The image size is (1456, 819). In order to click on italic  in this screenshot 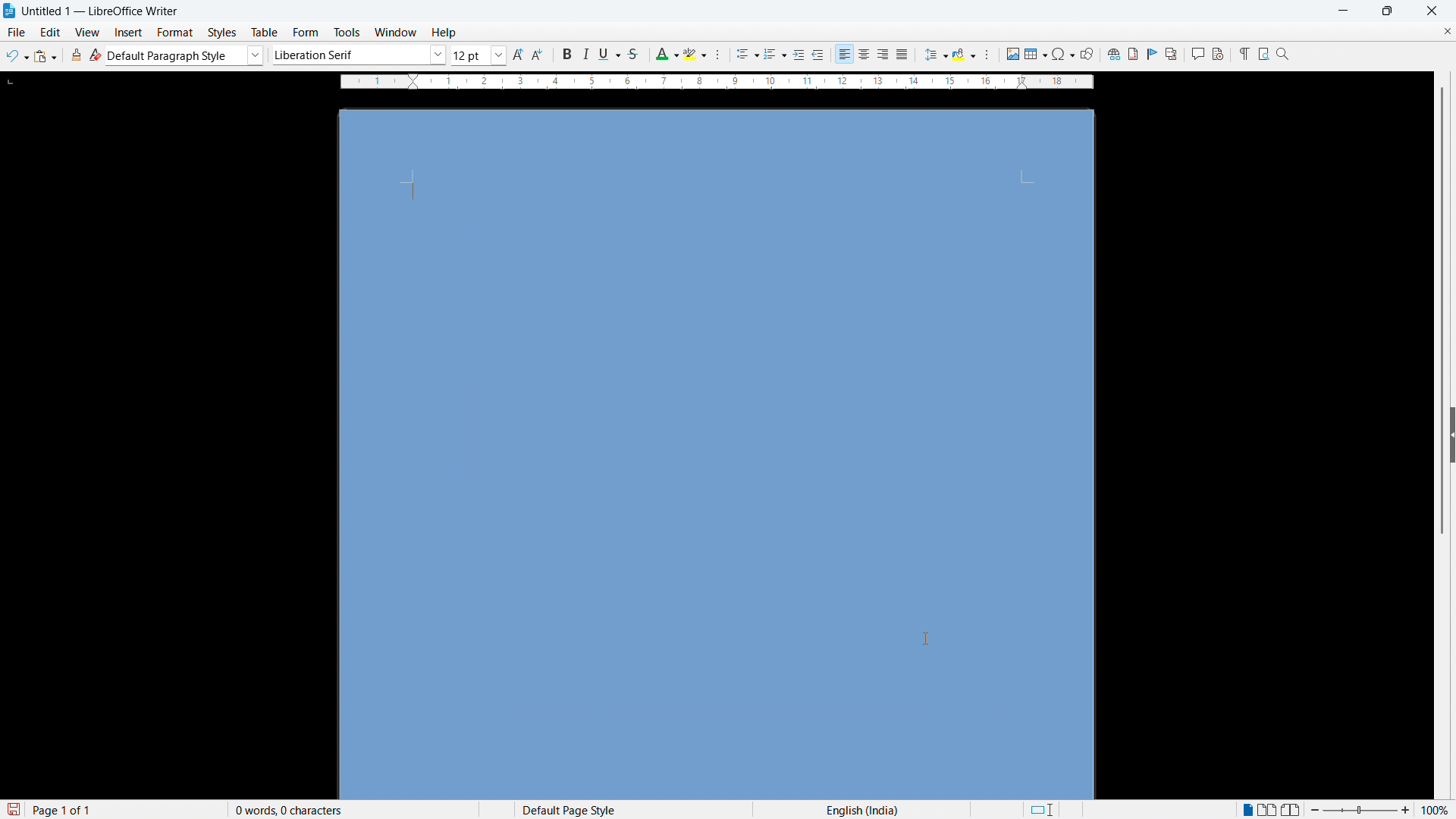, I will do `click(584, 55)`.